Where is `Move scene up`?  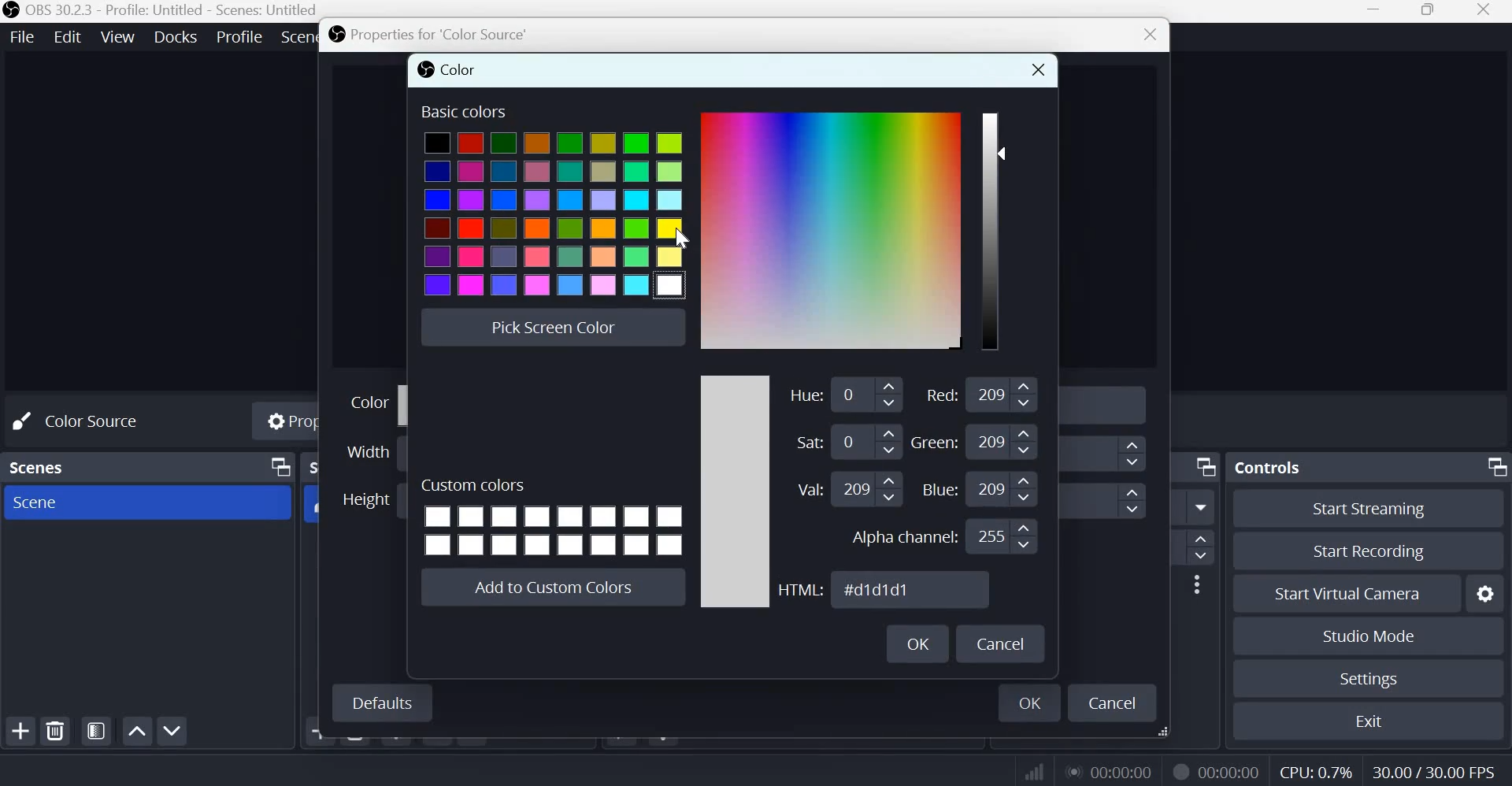 Move scene up is located at coordinates (136, 731).